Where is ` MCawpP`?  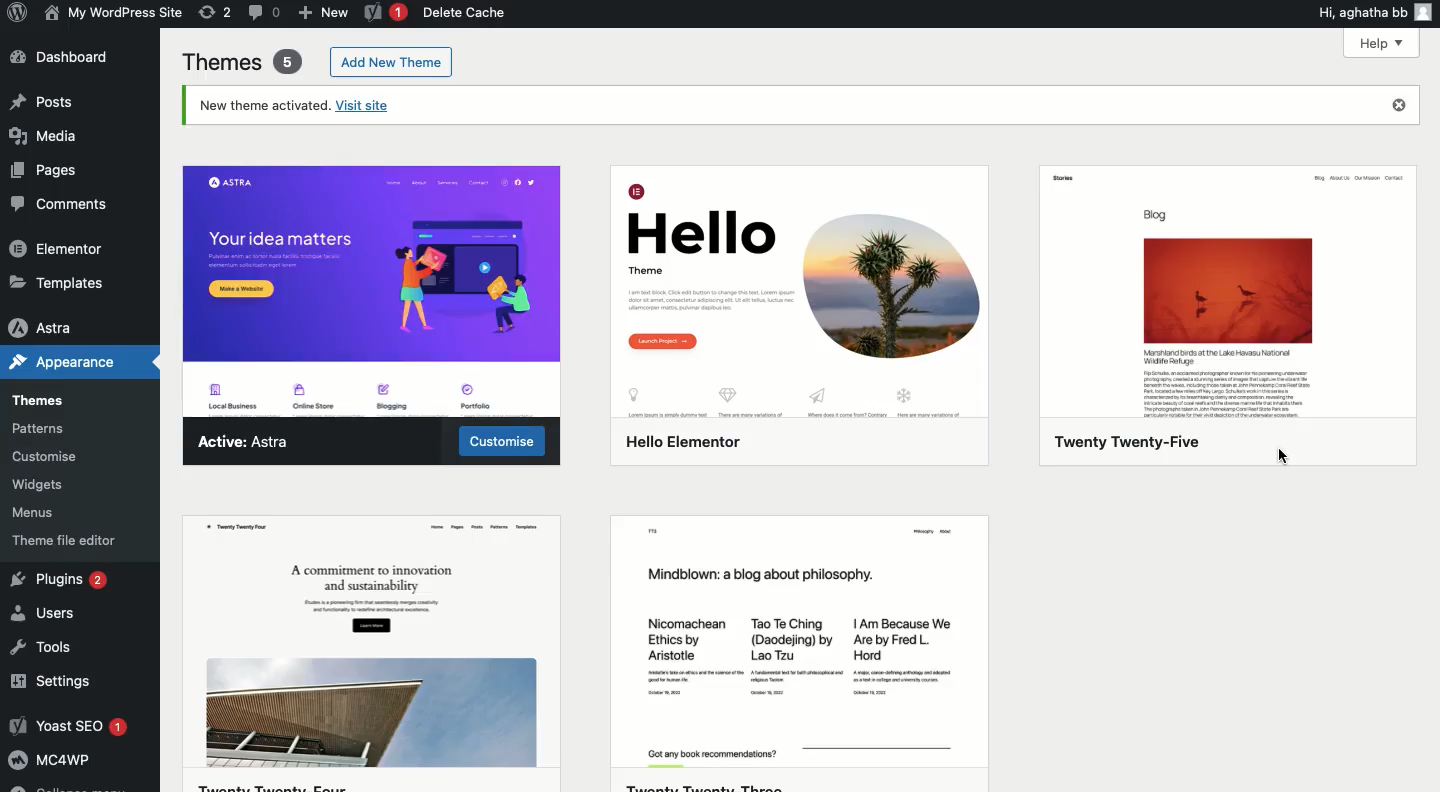
 MCawpP is located at coordinates (71, 756).